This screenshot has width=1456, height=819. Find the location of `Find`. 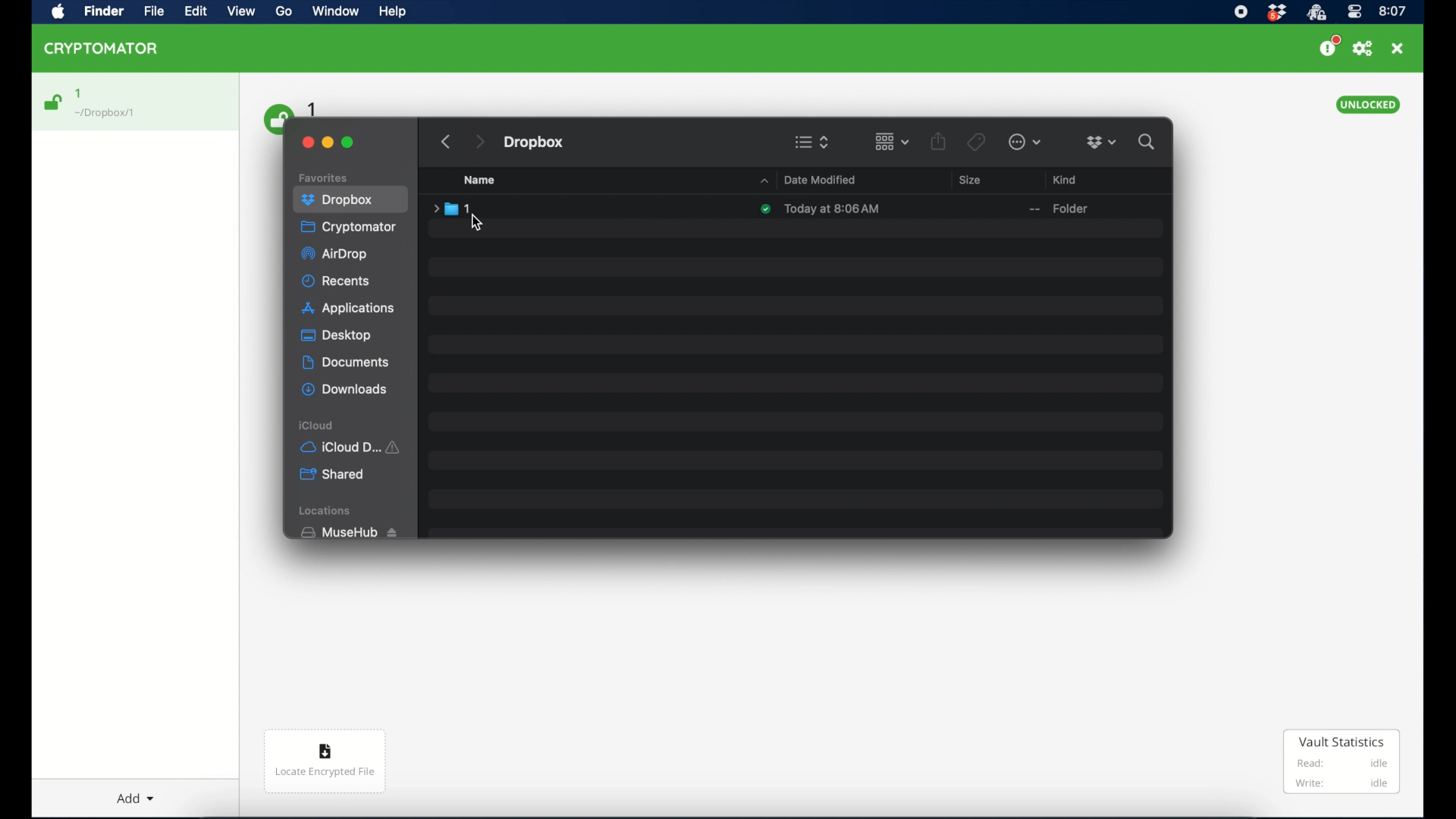

Find is located at coordinates (107, 12).